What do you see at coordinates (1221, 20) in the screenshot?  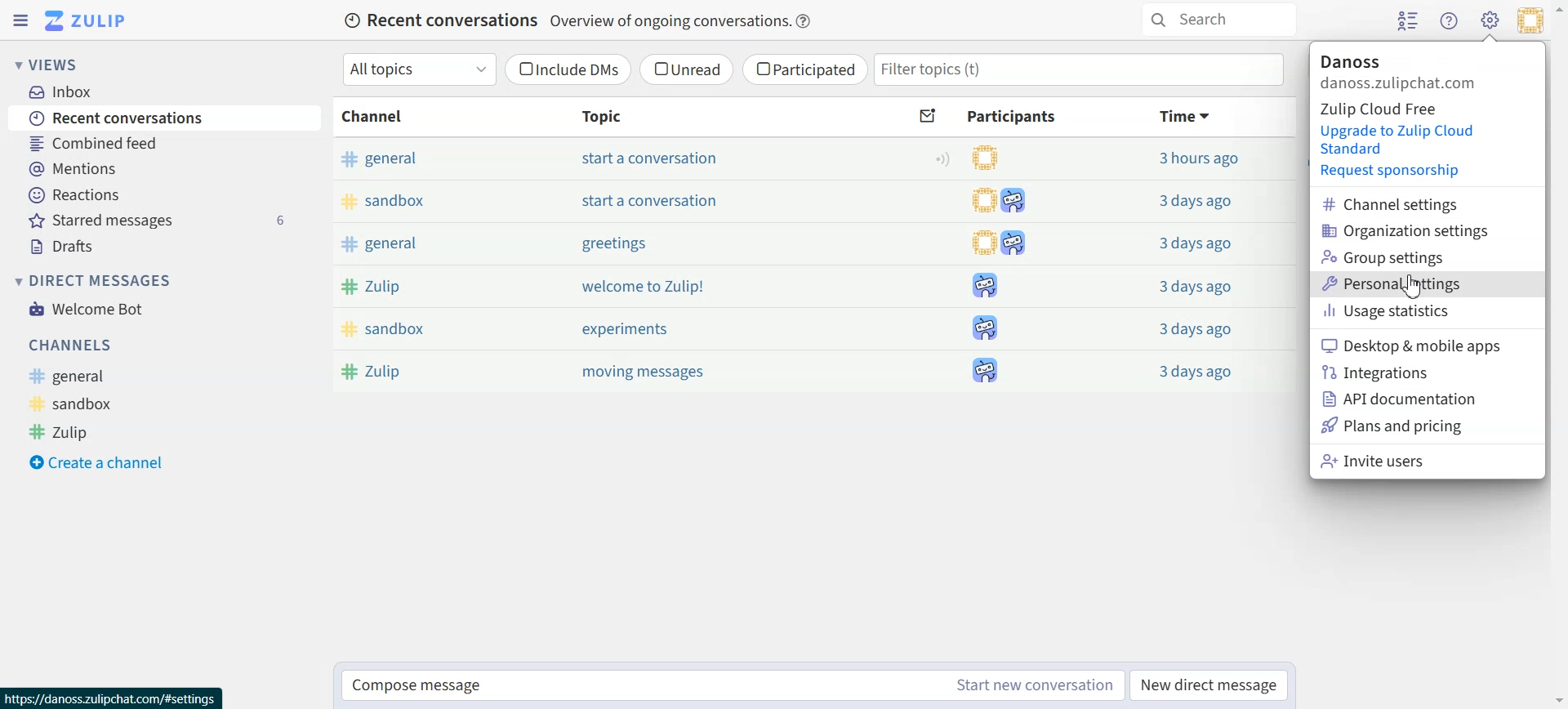 I see `Search` at bounding box center [1221, 20].